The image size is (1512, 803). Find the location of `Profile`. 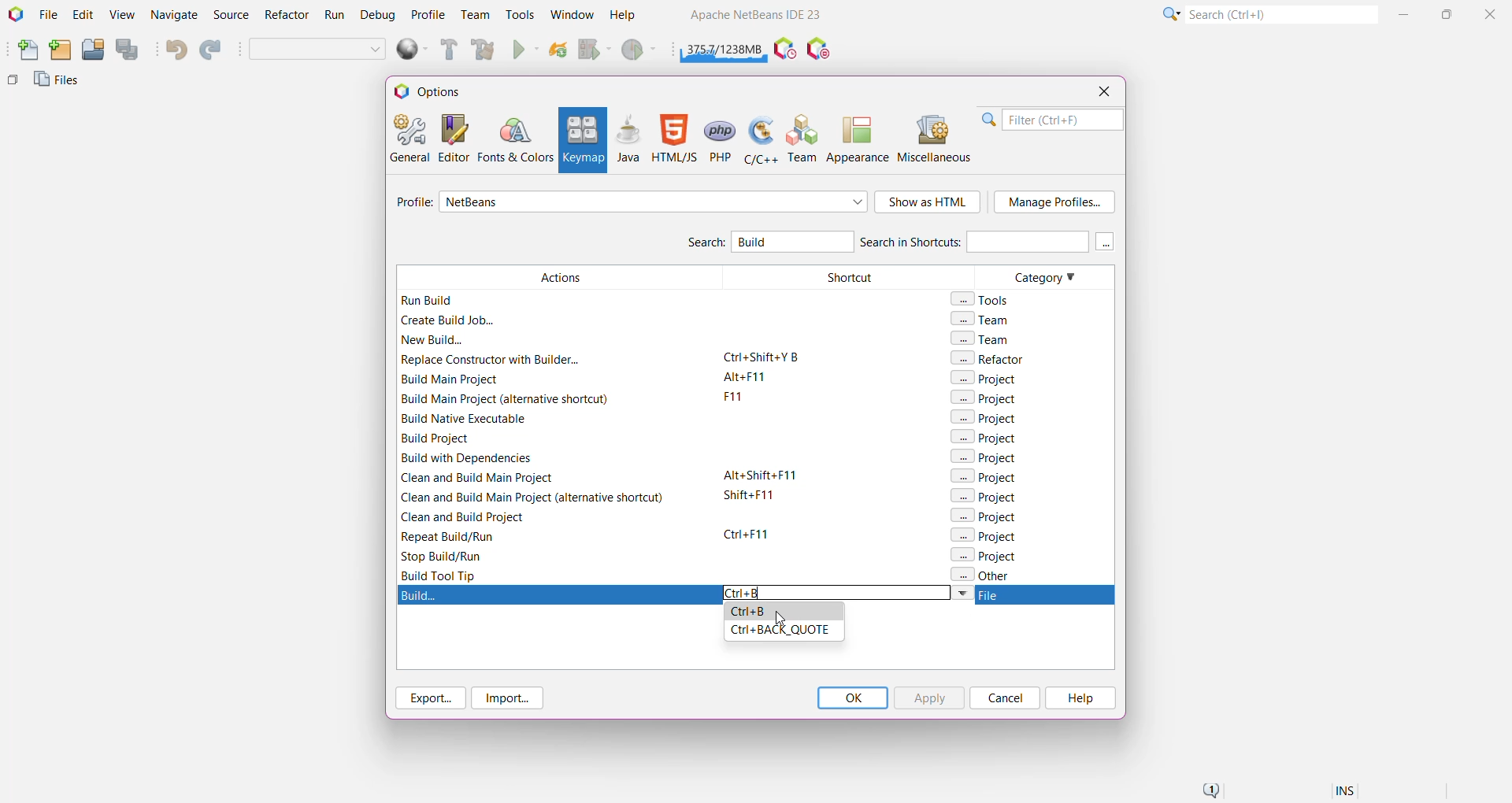

Profile is located at coordinates (428, 14).